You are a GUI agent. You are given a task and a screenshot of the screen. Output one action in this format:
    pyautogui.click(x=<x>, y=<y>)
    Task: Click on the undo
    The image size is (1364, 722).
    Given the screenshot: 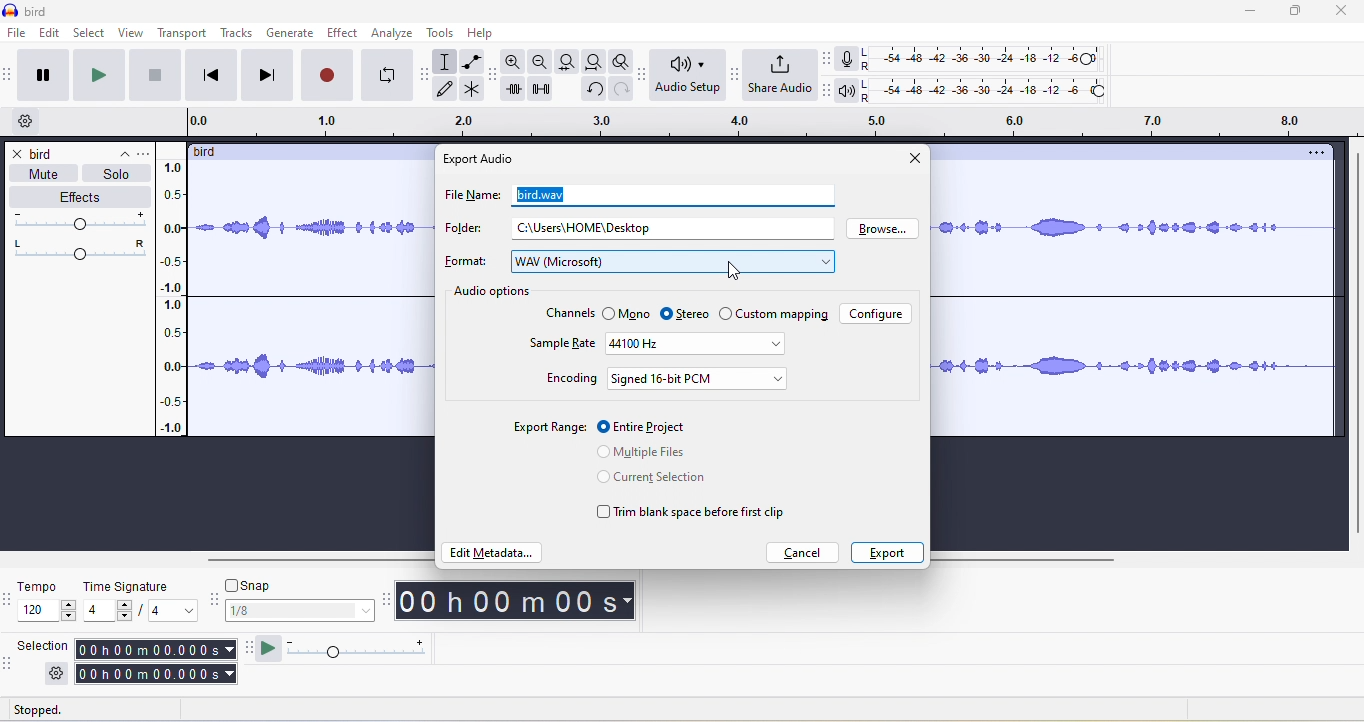 What is the action you would take?
    pyautogui.click(x=592, y=93)
    